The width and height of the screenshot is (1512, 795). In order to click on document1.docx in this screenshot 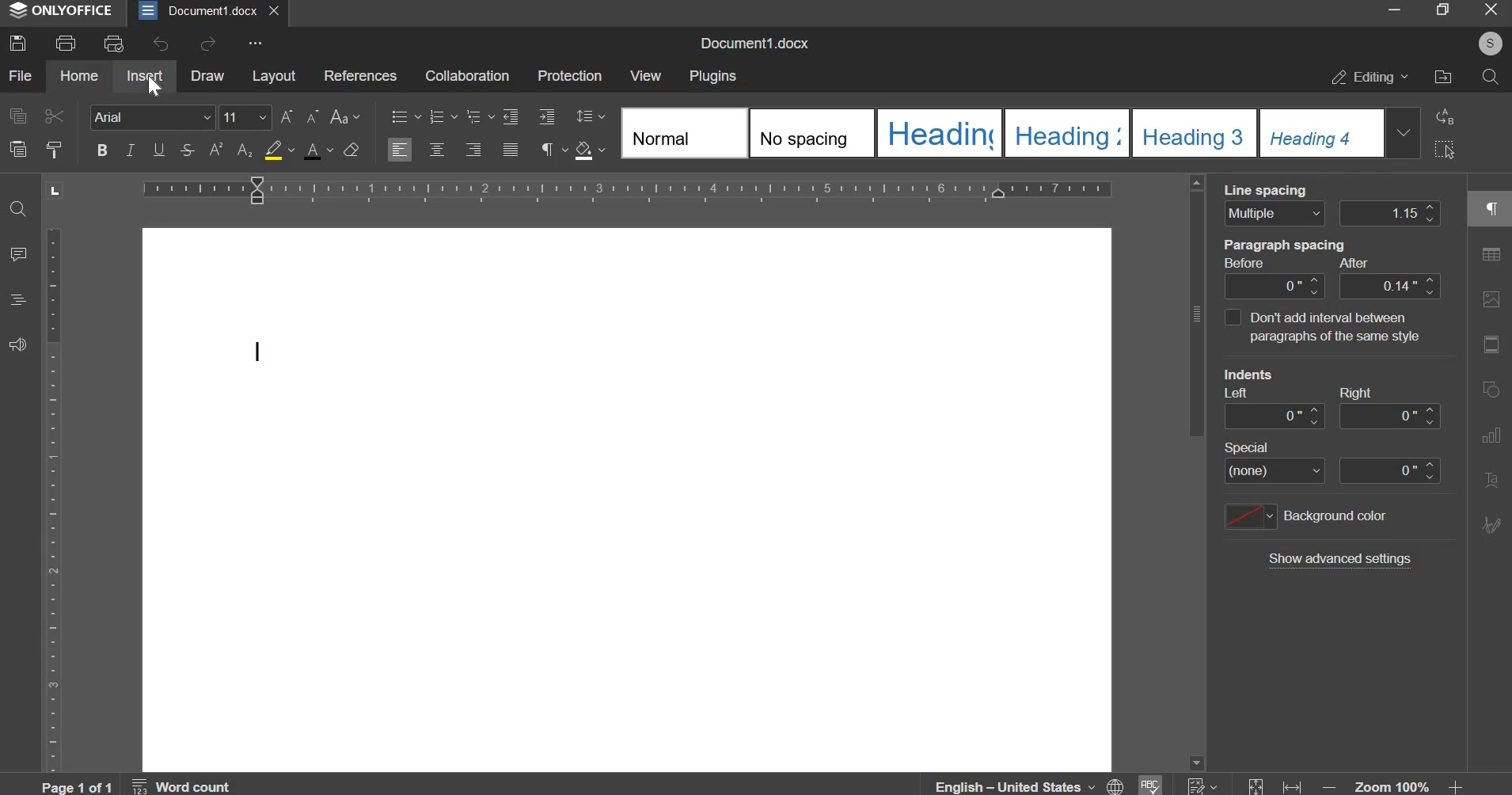, I will do `click(197, 10)`.